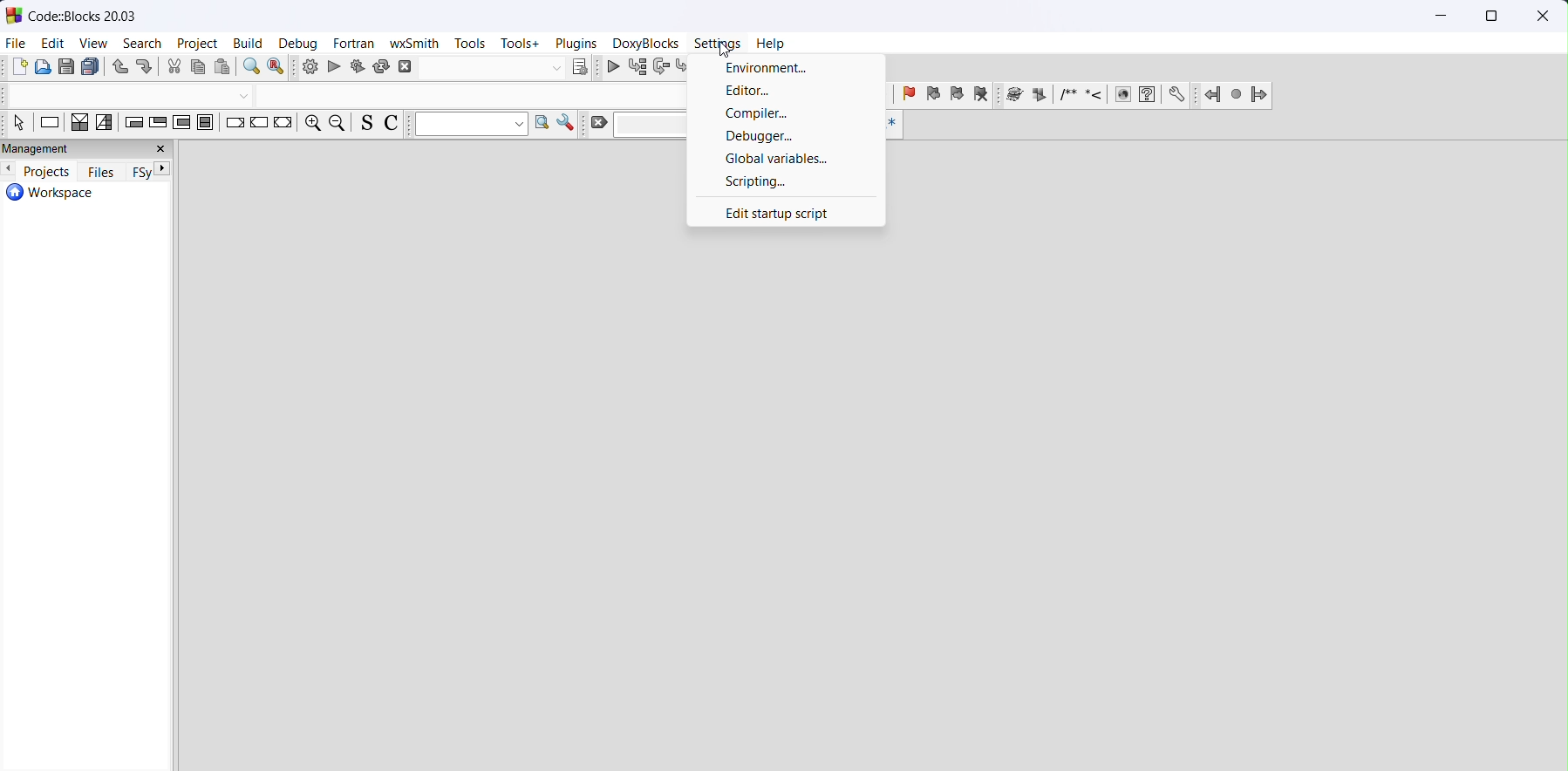 The image size is (1568, 771). What do you see at coordinates (1237, 96) in the screenshot?
I see `fortranProject` at bounding box center [1237, 96].